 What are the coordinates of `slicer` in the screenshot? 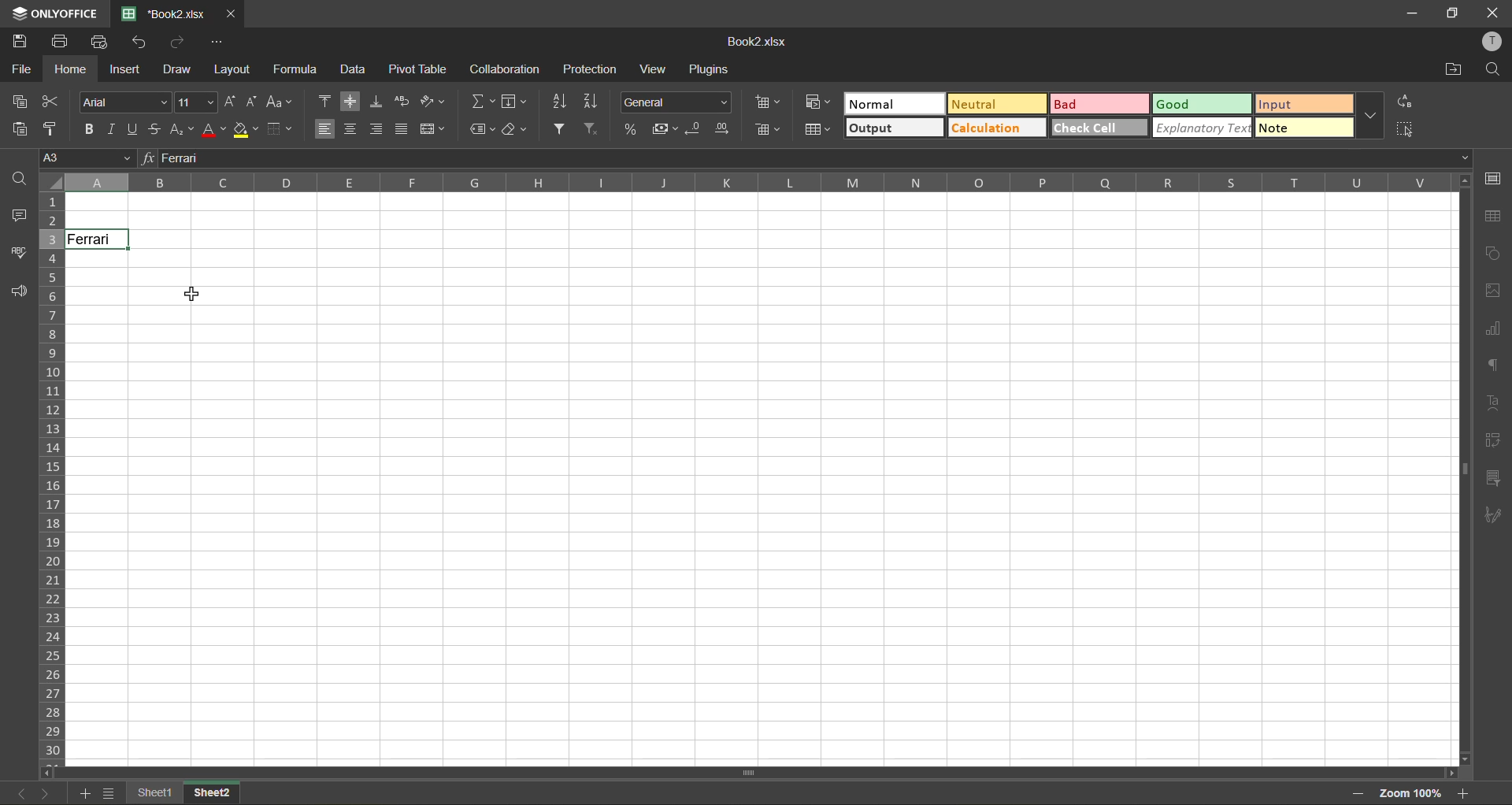 It's located at (1492, 476).